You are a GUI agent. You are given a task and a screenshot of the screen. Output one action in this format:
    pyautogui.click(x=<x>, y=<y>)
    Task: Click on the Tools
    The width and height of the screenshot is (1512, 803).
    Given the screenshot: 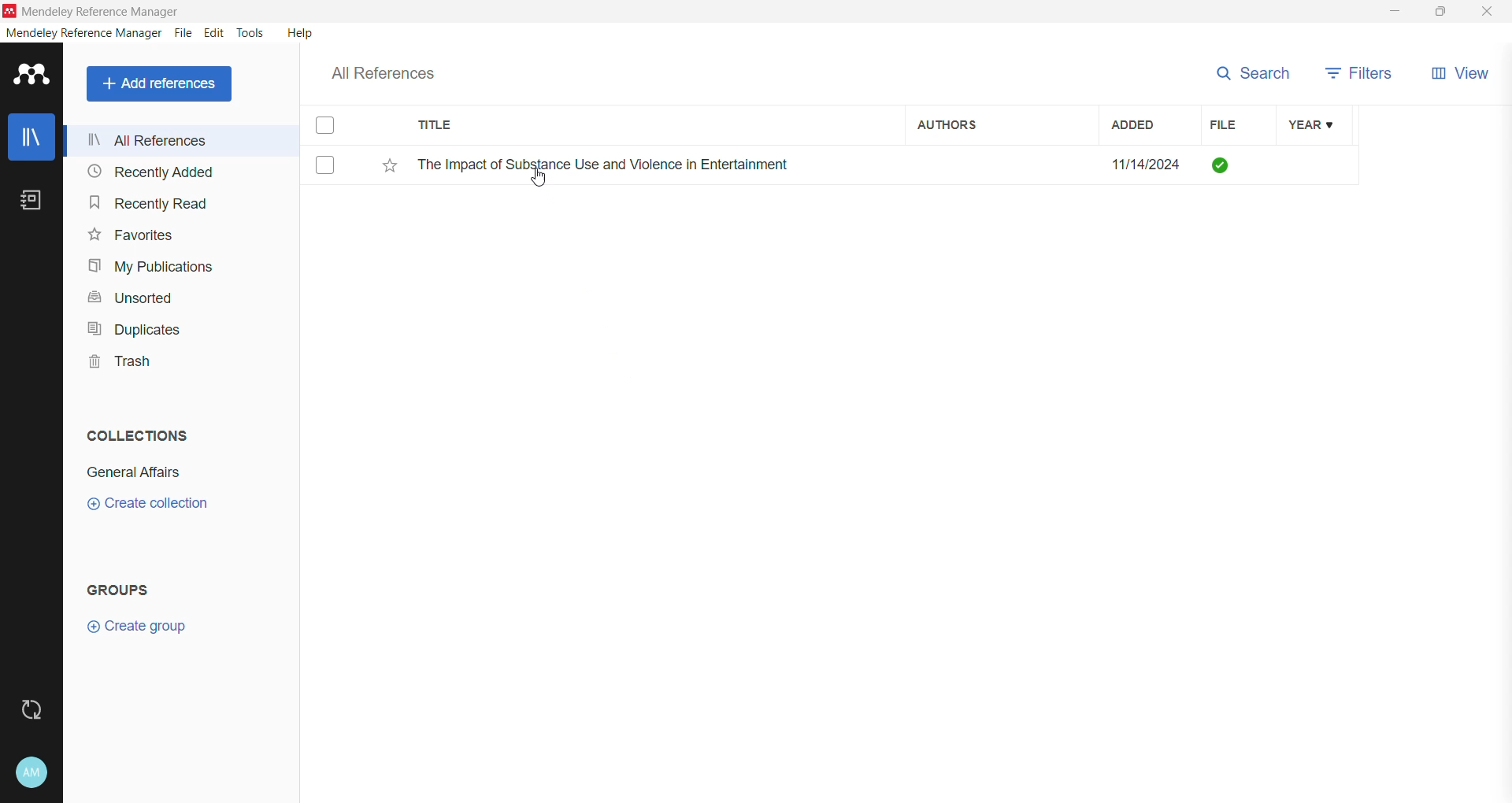 What is the action you would take?
    pyautogui.click(x=251, y=33)
    